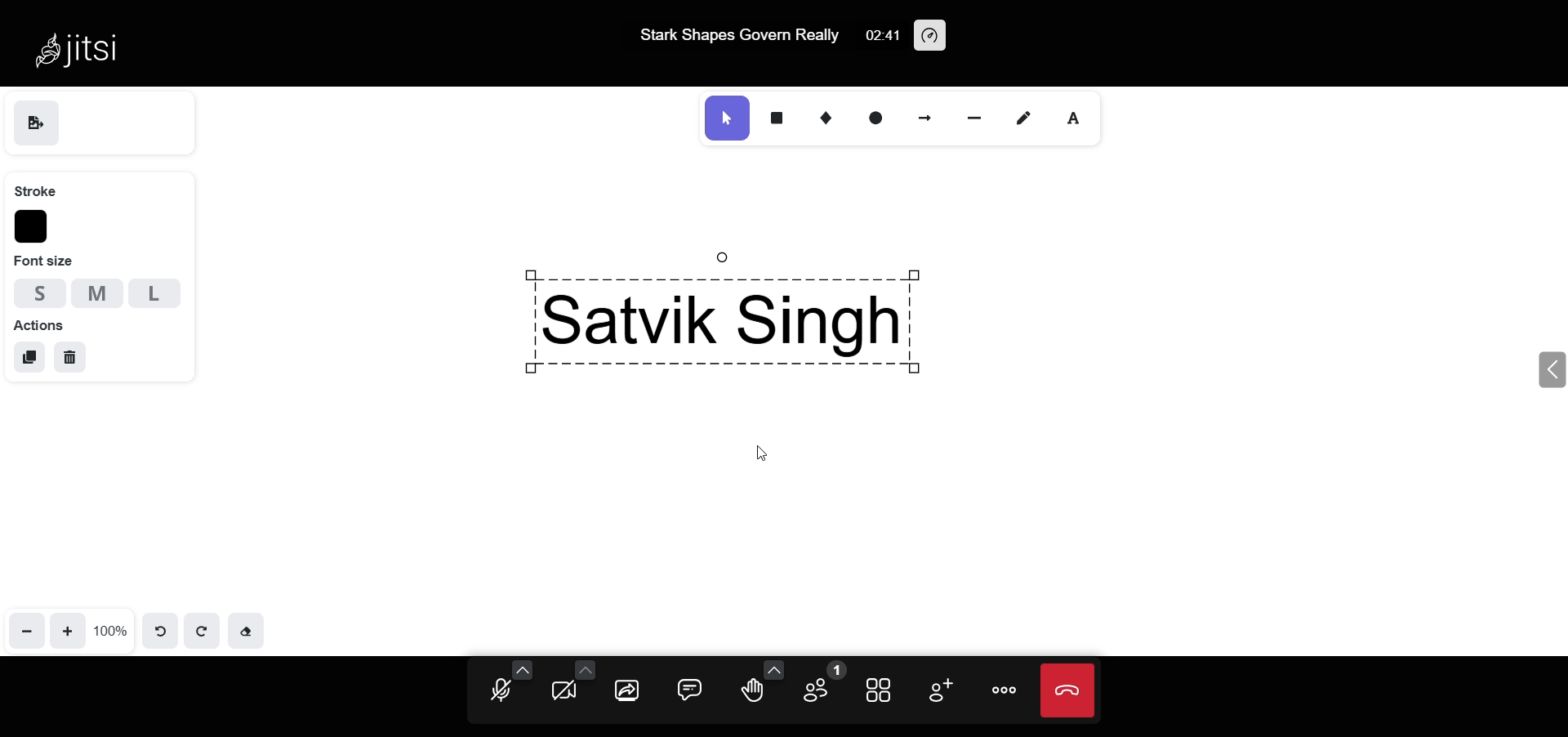 This screenshot has width=1568, height=737. I want to click on expand, so click(1549, 369).